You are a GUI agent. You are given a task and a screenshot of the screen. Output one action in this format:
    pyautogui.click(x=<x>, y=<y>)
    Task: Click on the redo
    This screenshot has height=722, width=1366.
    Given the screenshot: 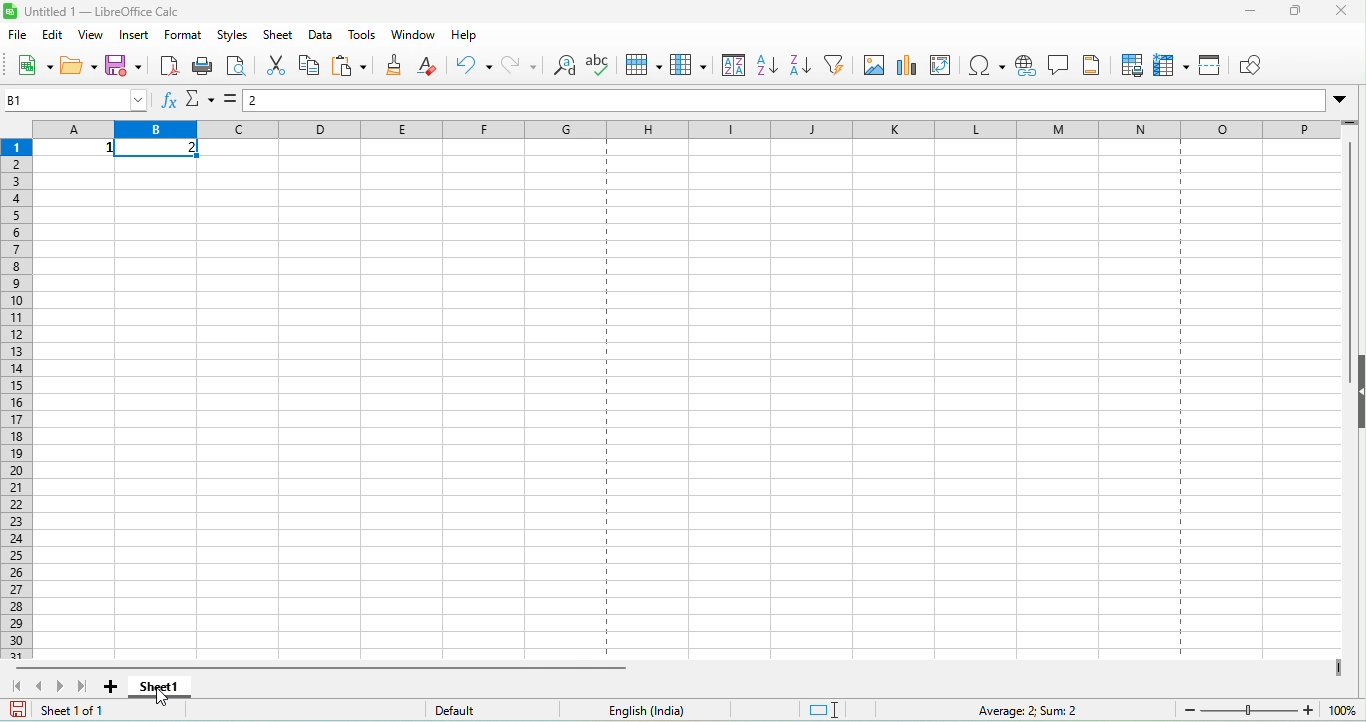 What is the action you would take?
    pyautogui.click(x=523, y=68)
    